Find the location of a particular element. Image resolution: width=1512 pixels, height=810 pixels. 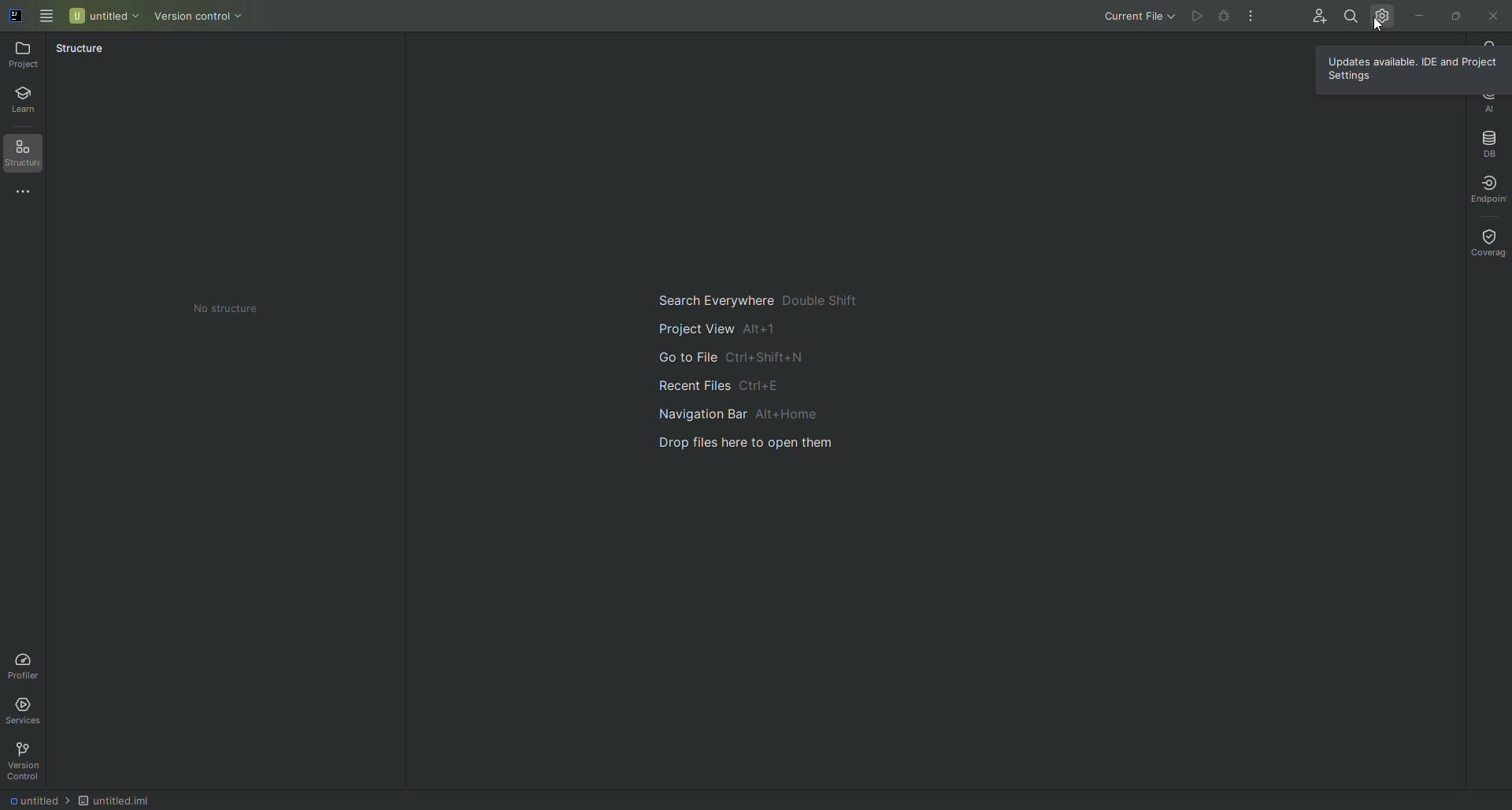

Go to file is located at coordinates (728, 359).